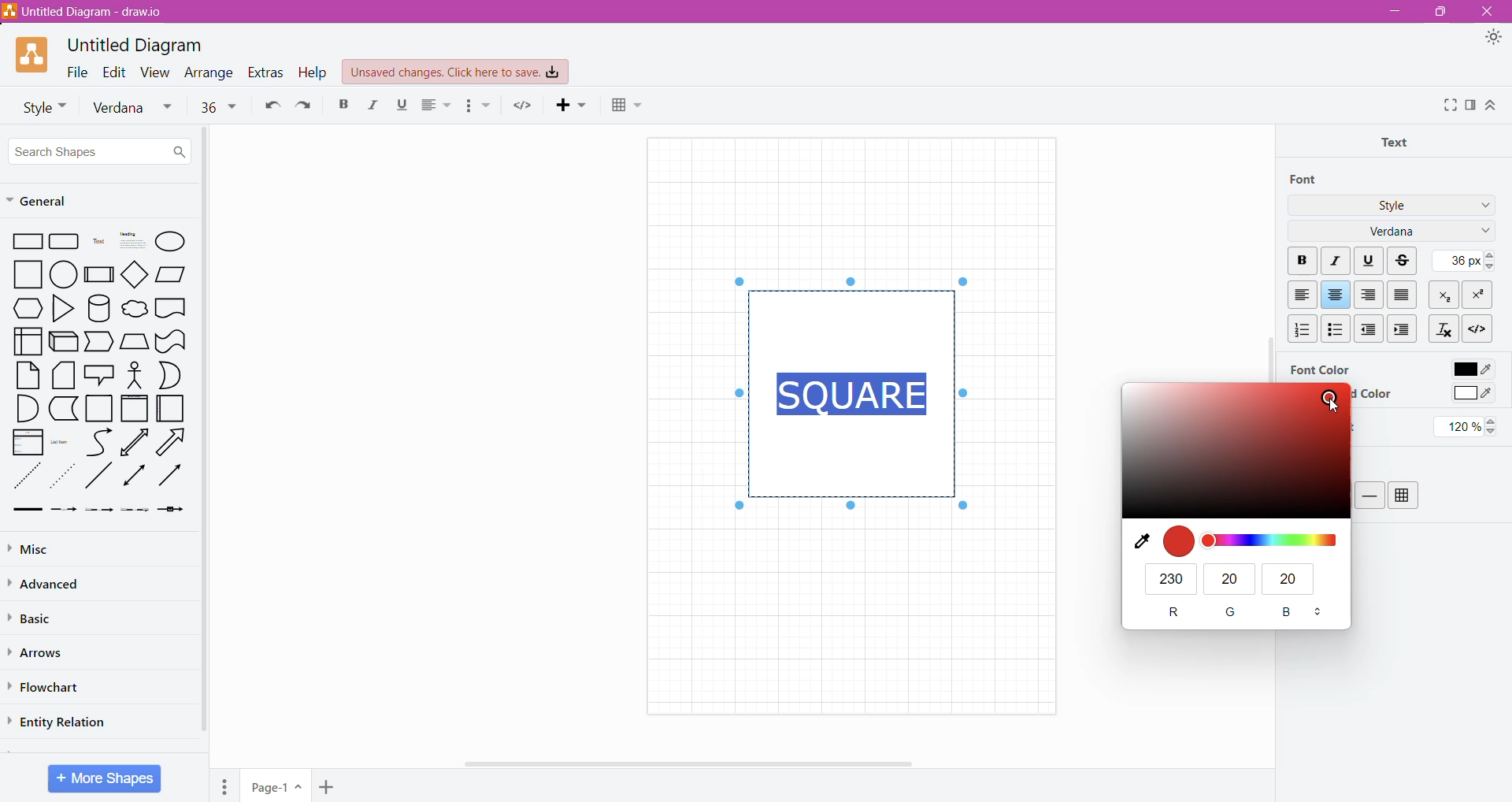 The width and height of the screenshot is (1512, 802). What do you see at coordinates (173, 443) in the screenshot?
I see `Right Diagonal Arrow` at bounding box center [173, 443].